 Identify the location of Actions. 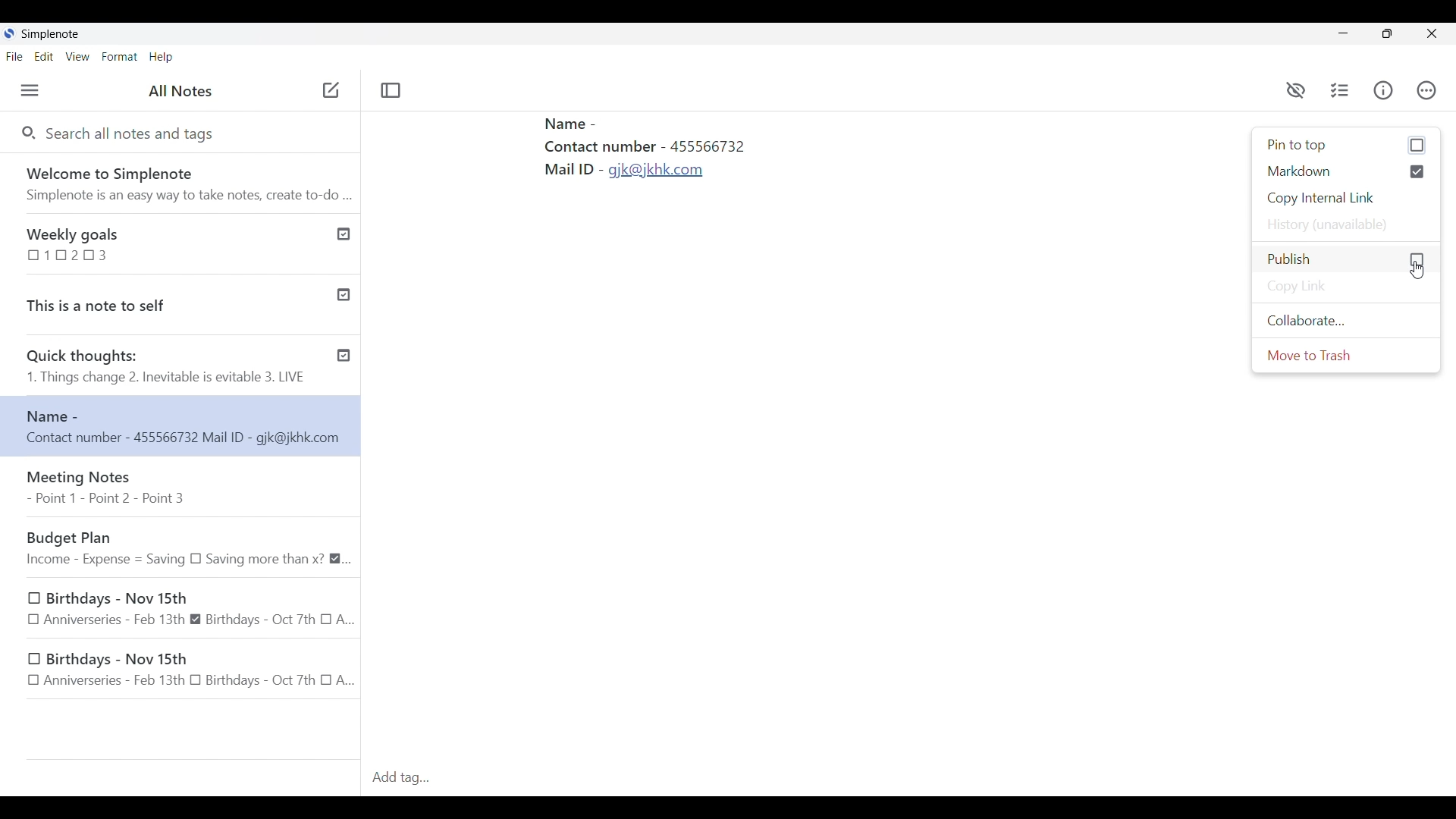
(1426, 86).